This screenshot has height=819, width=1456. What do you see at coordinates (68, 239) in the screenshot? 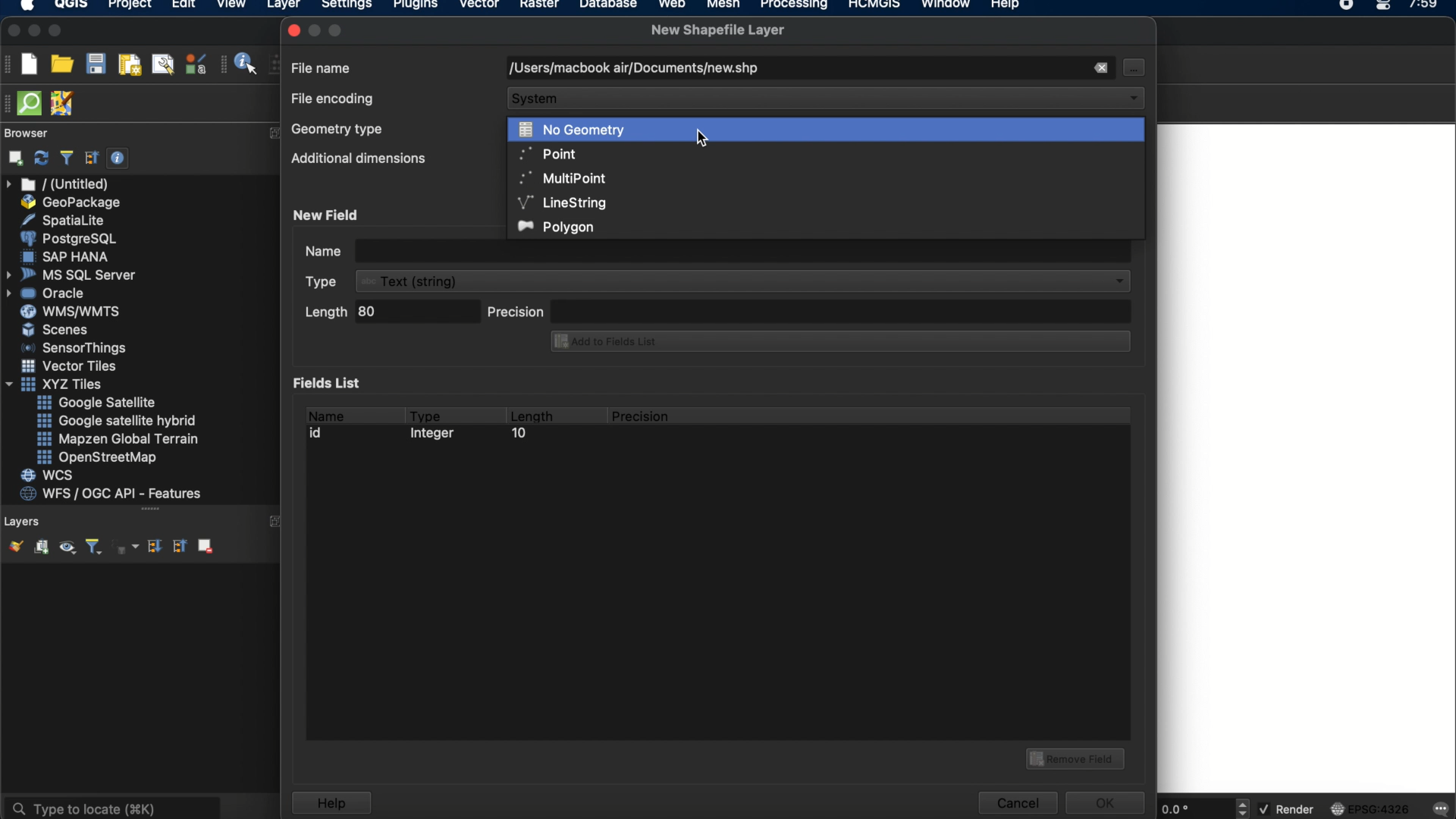
I see `postgresql` at bounding box center [68, 239].